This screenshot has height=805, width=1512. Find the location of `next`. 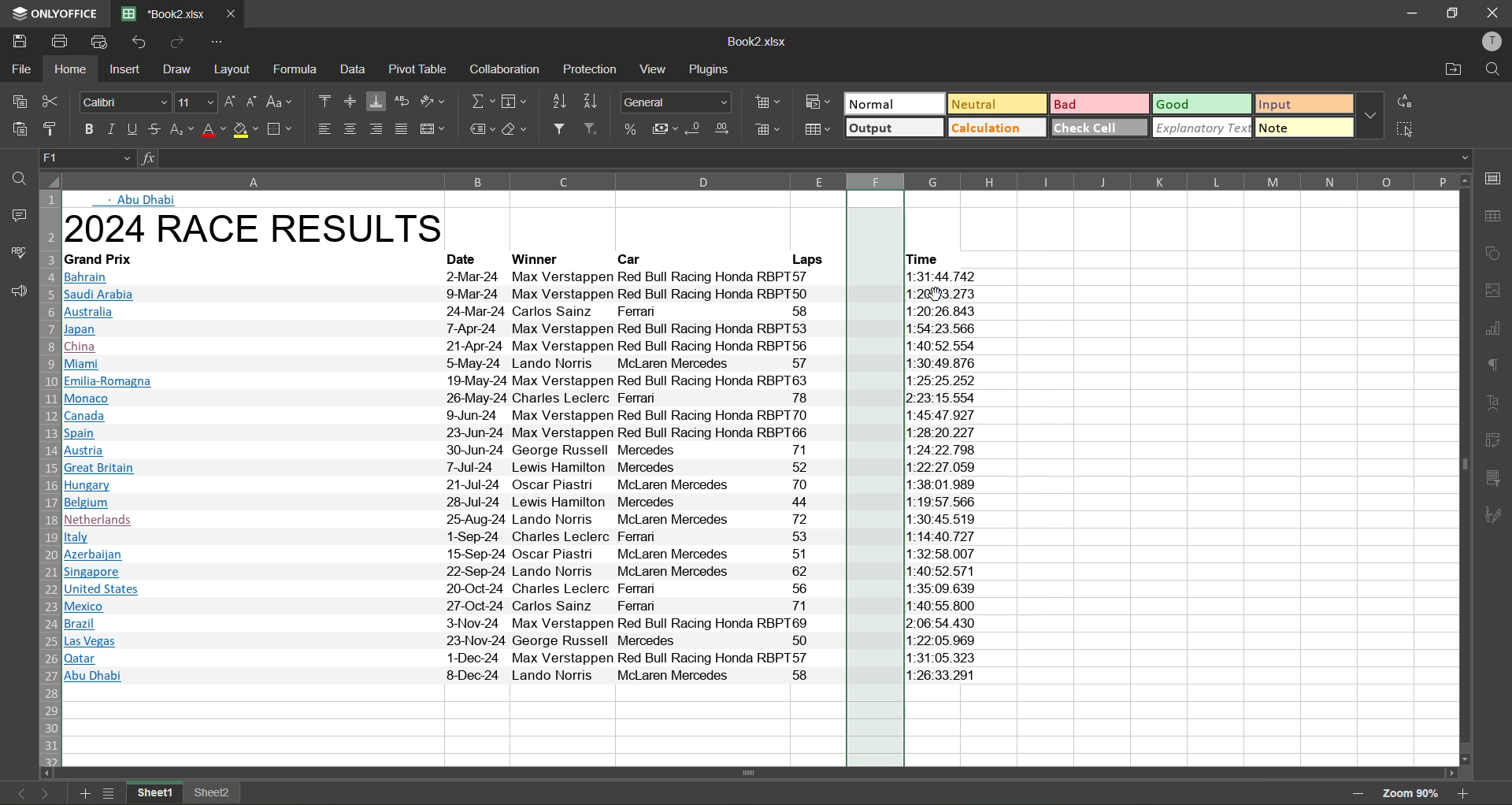

next is located at coordinates (42, 792).